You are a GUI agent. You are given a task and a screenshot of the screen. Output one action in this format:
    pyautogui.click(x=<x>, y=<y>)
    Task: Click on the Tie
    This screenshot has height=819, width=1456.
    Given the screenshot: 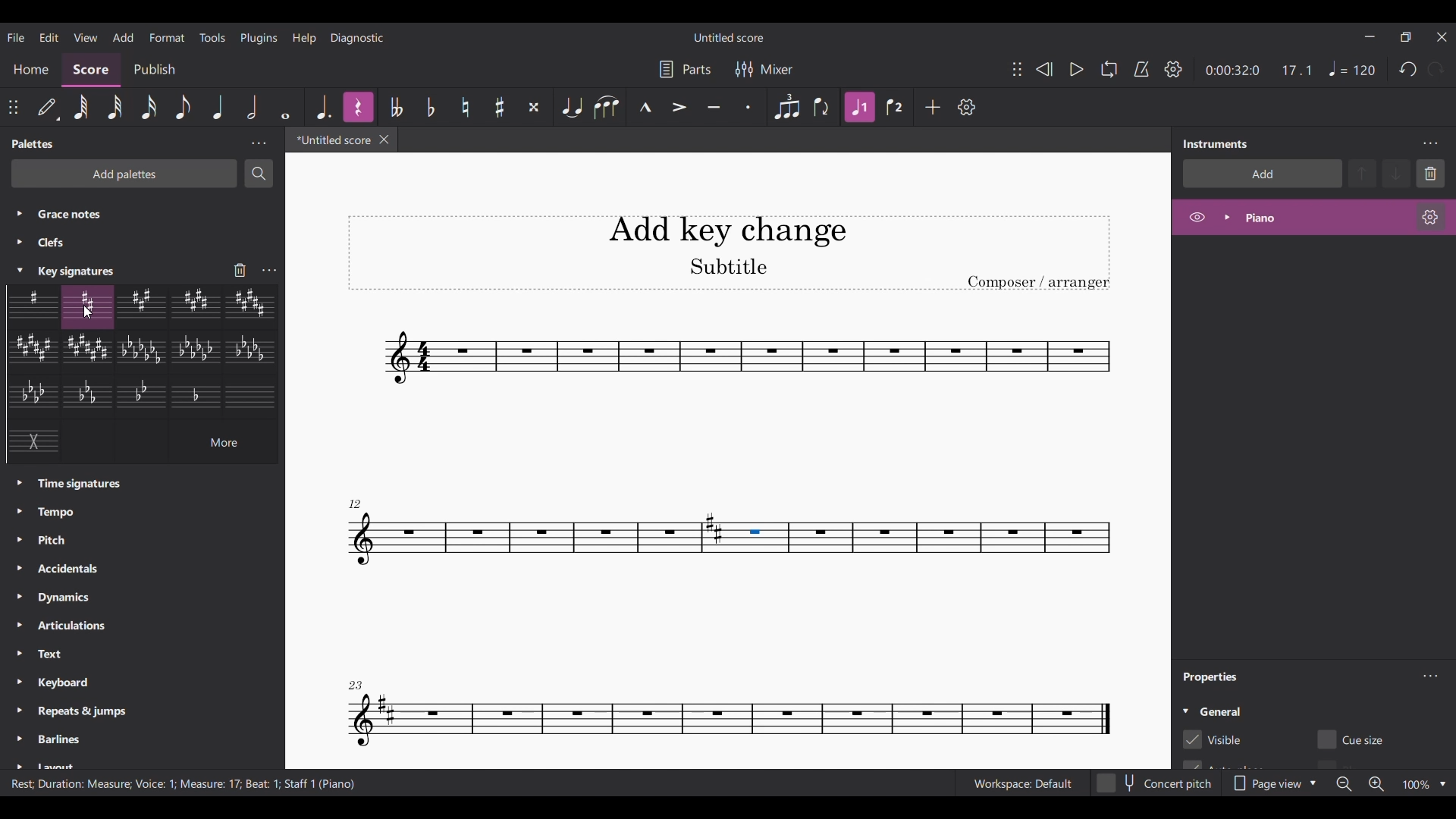 What is the action you would take?
    pyautogui.click(x=572, y=107)
    